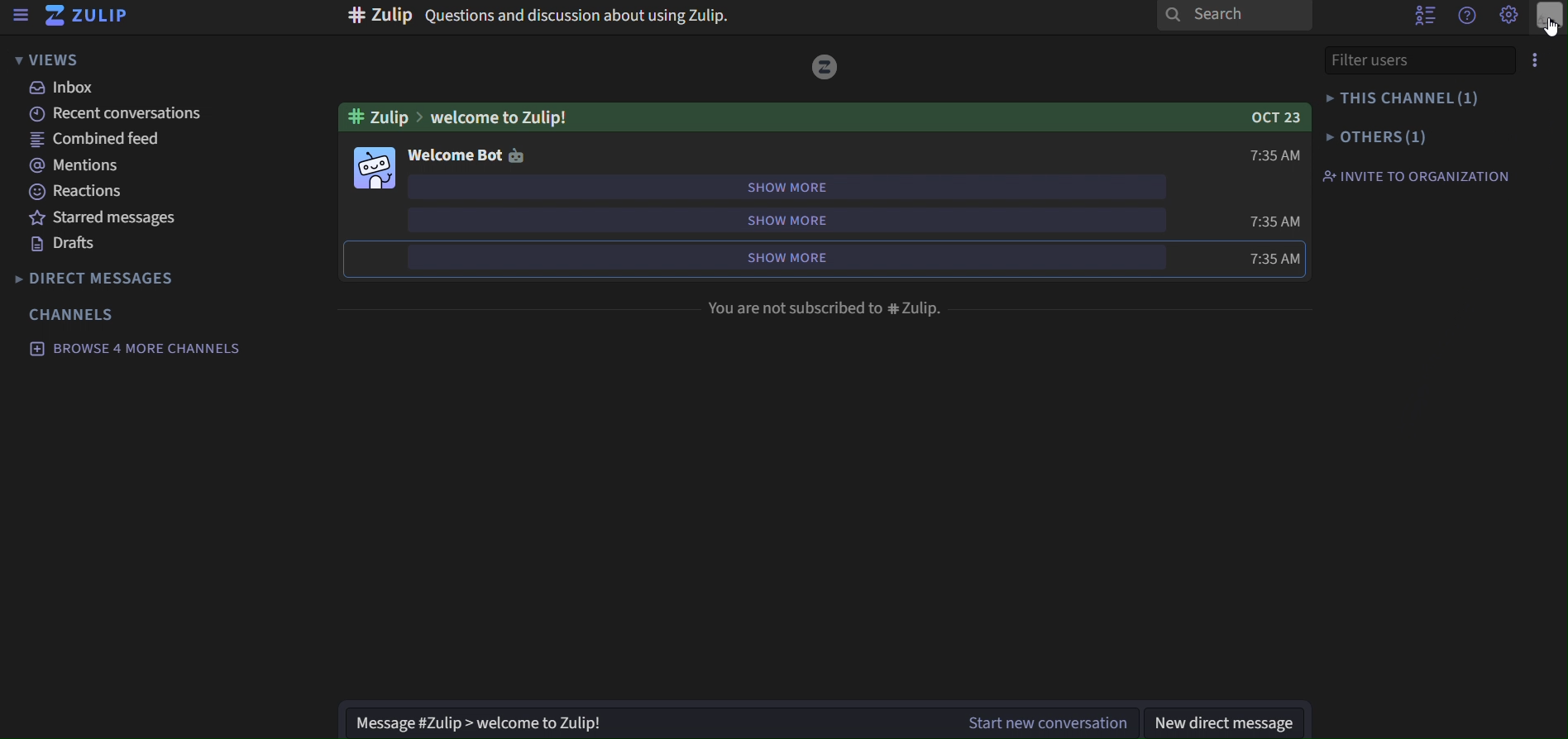 Image resolution: width=1568 pixels, height=739 pixels. What do you see at coordinates (780, 257) in the screenshot?
I see `show more` at bounding box center [780, 257].